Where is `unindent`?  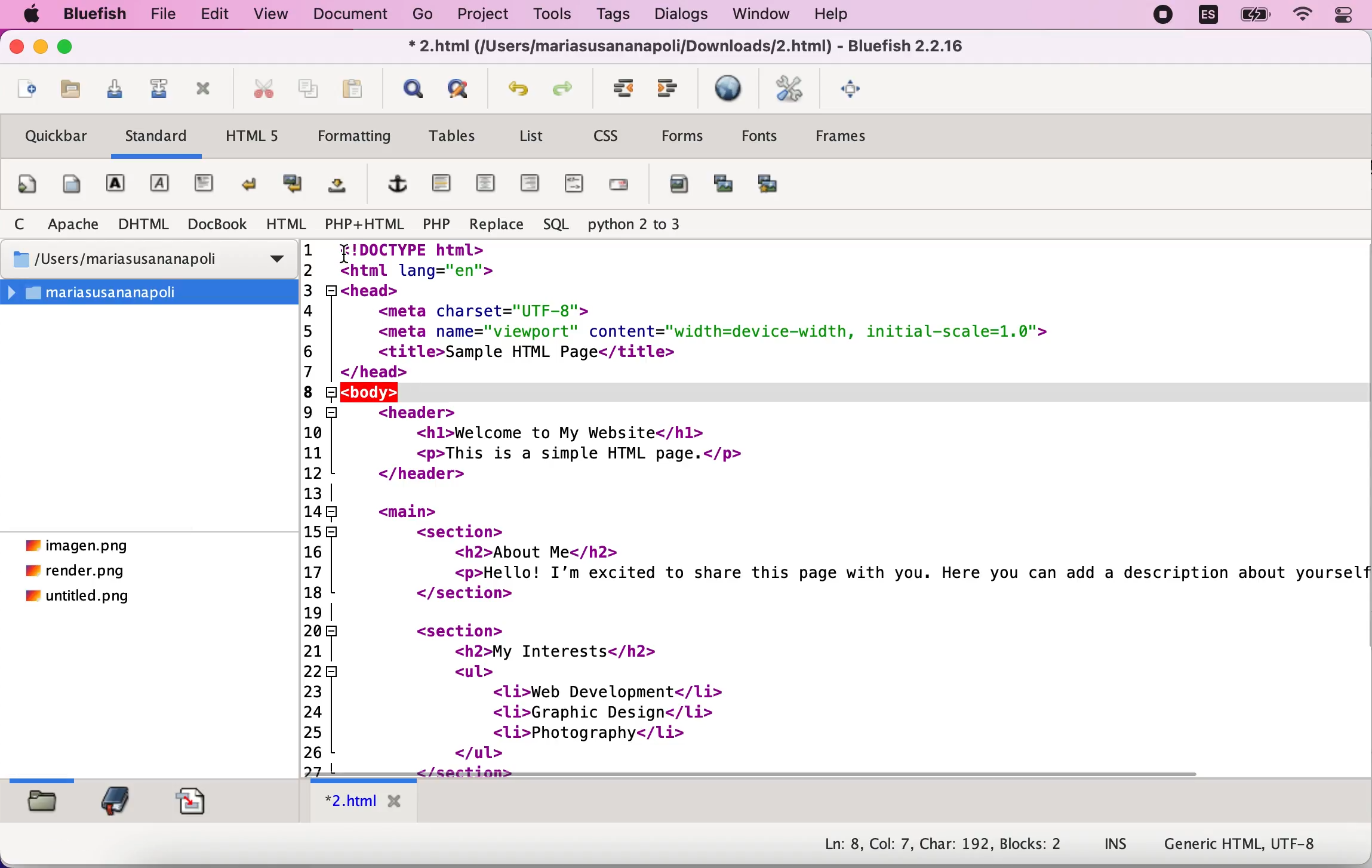
unindent is located at coordinates (627, 90).